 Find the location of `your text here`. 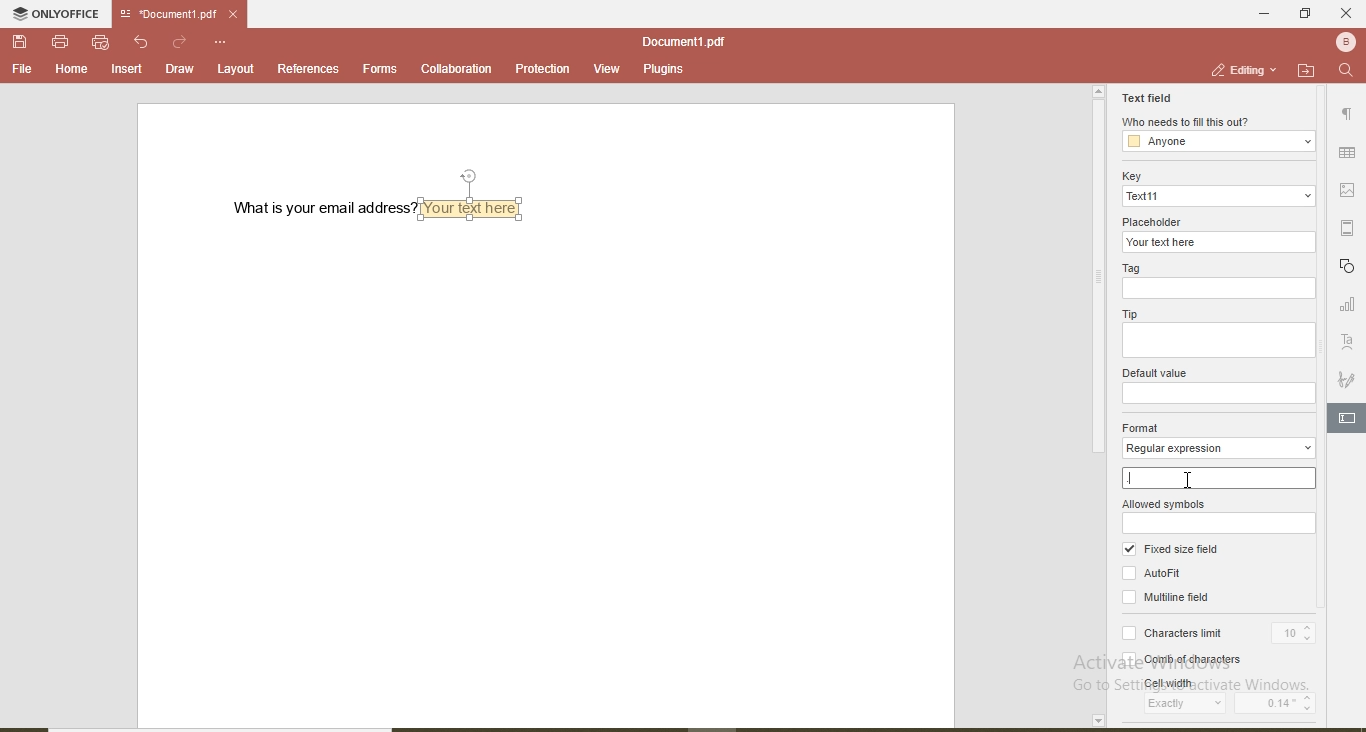

your text here is located at coordinates (1220, 242).